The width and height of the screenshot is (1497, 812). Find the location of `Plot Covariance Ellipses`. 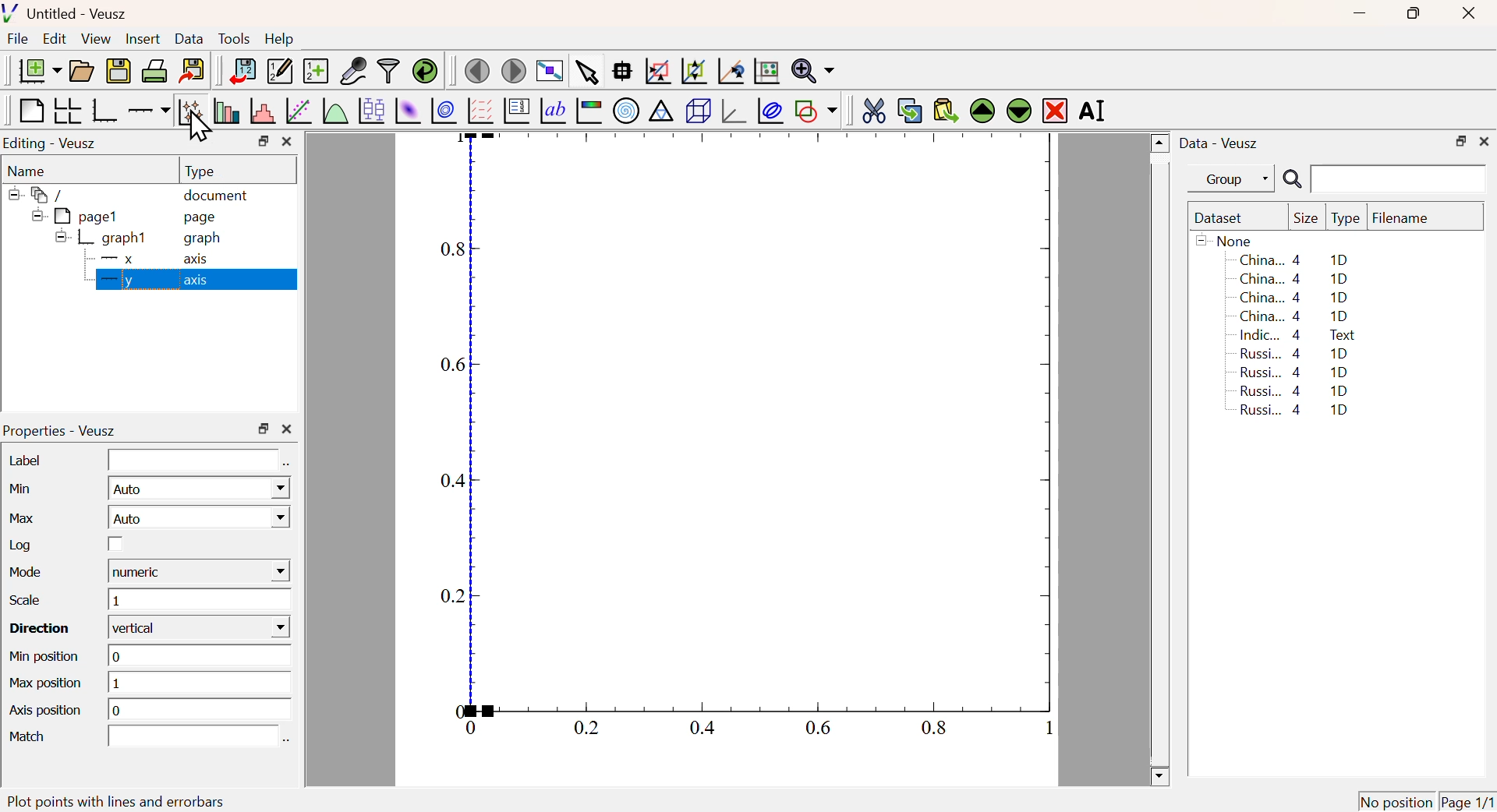

Plot Covariance Ellipses is located at coordinates (770, 112).